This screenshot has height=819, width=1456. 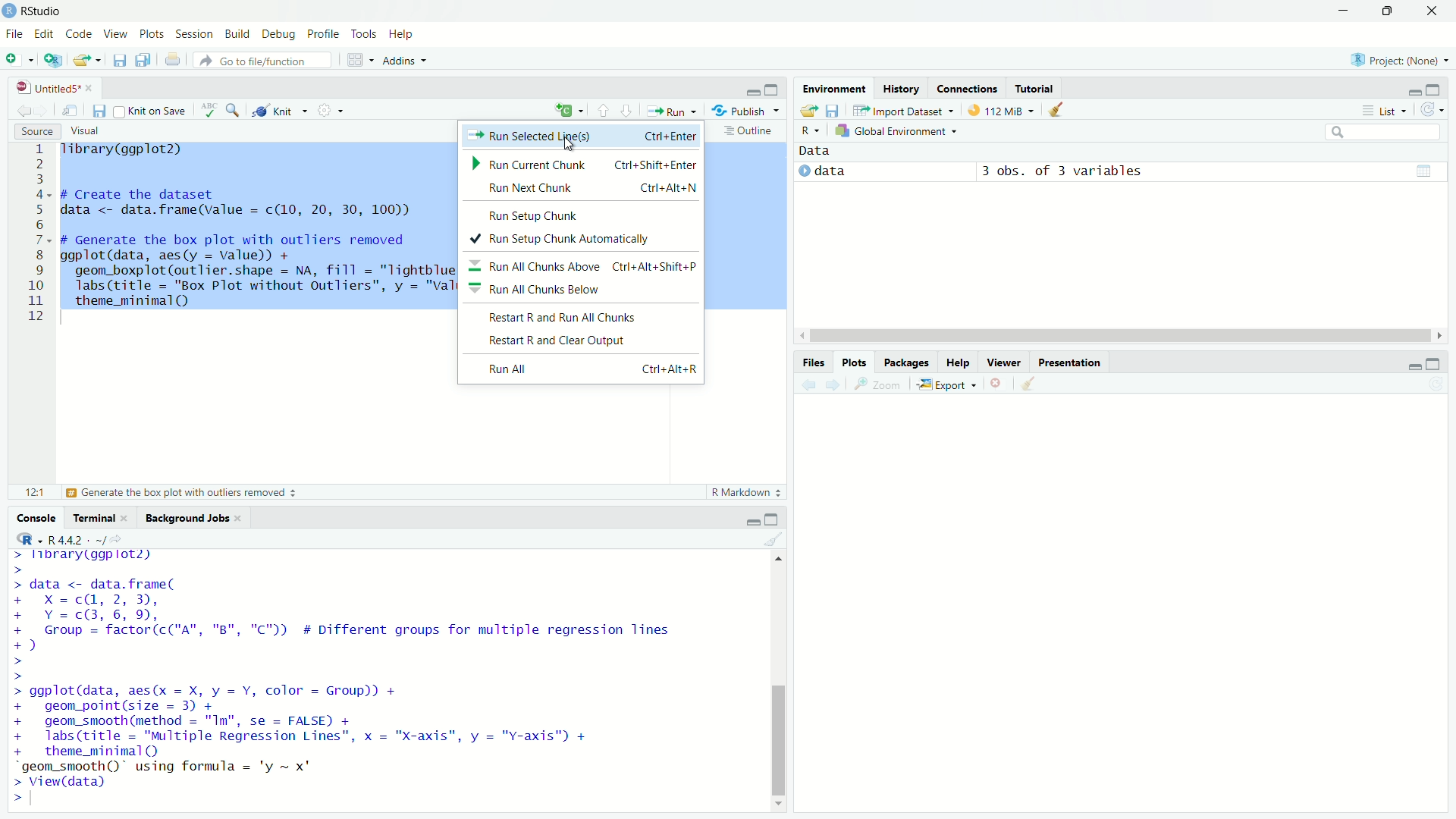 What do you see at coordinates (1069, 360) in the screenshot?
I see `Presentation` at bounding box center [1069, 360].